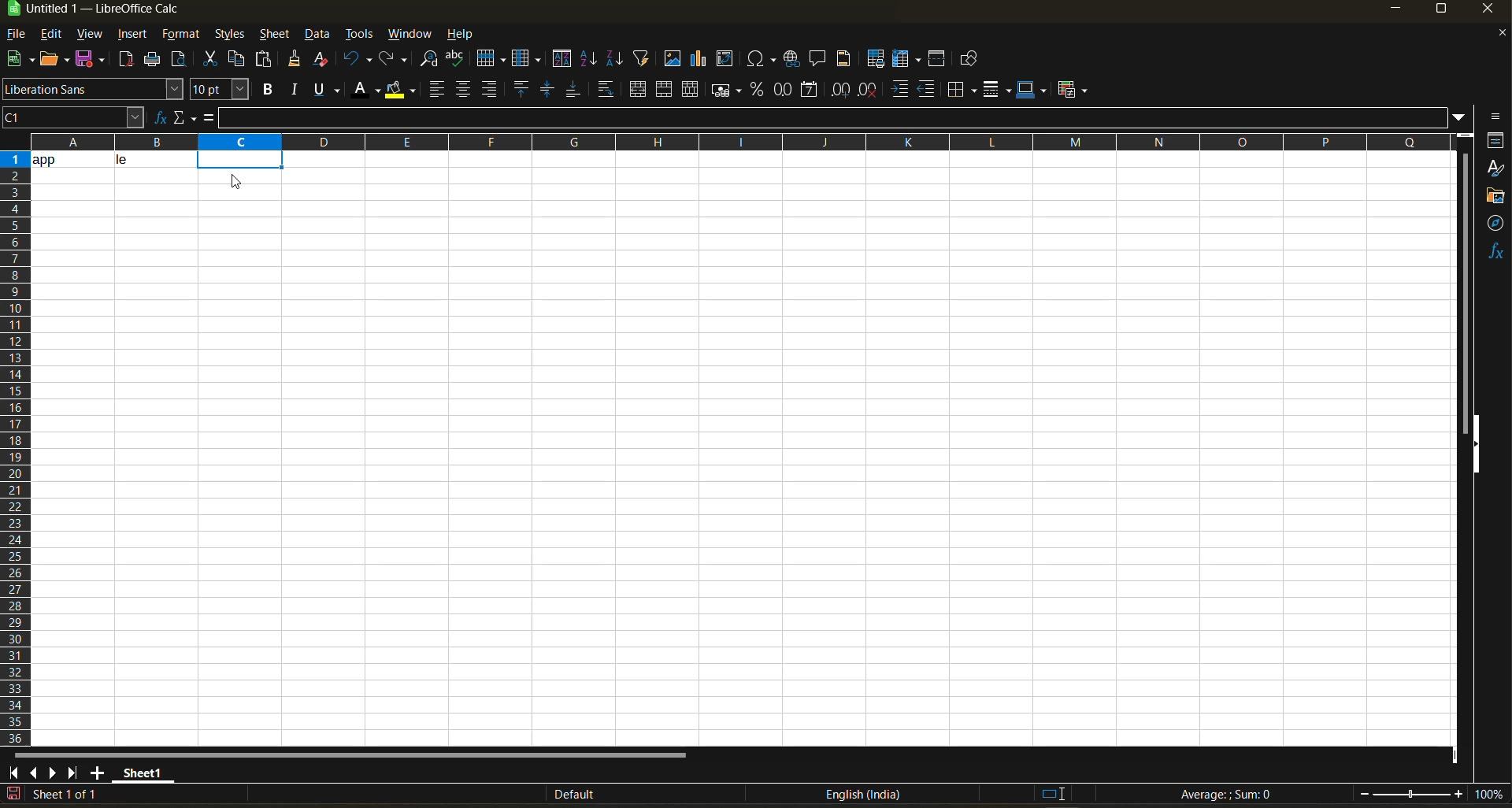 Image resolution: width=1512 pixels, height=808 pixels. I want to click on center vertically, so click(547, 90).